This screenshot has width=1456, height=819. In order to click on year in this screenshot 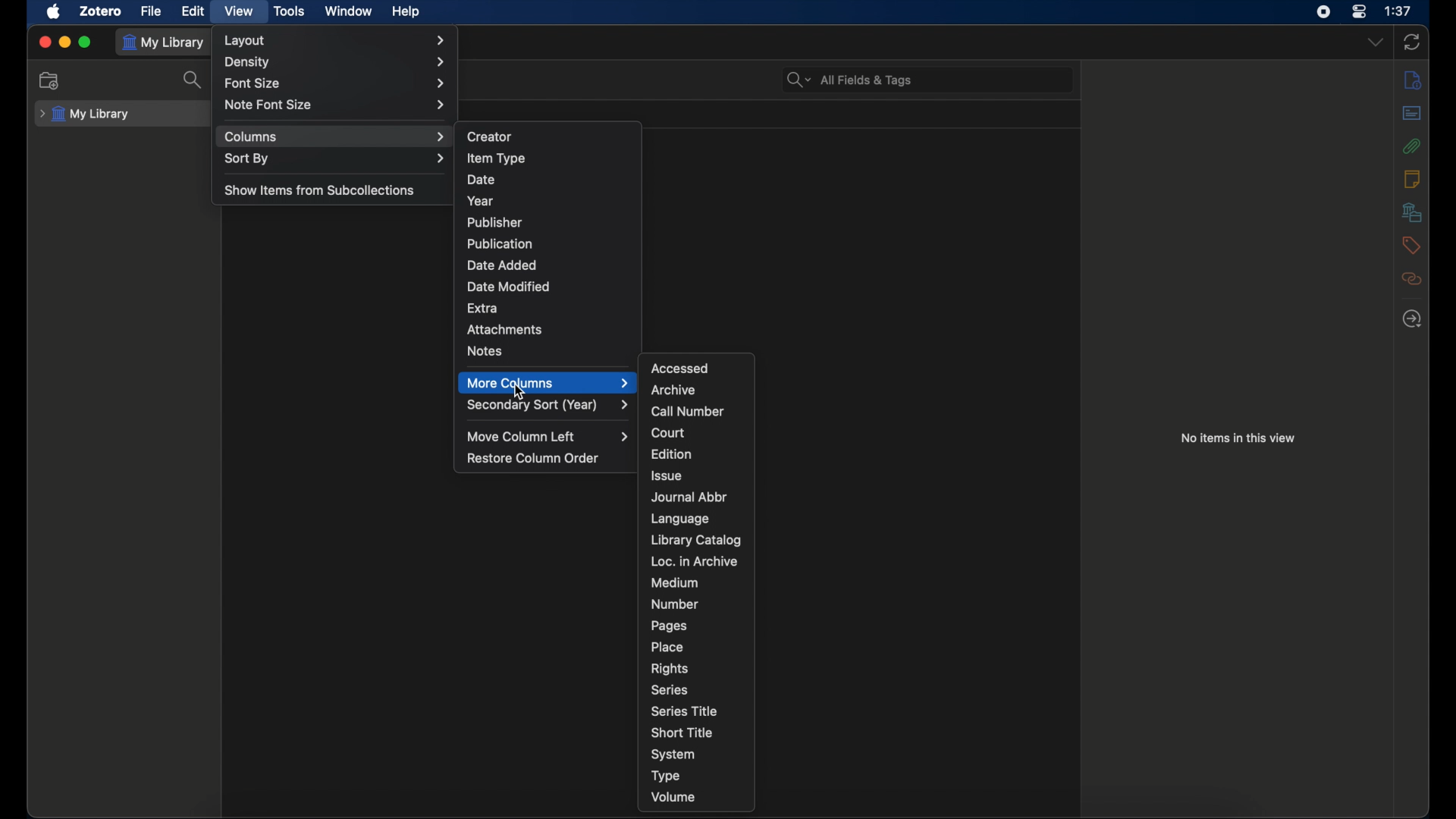, I will do `click(482, 201)`.